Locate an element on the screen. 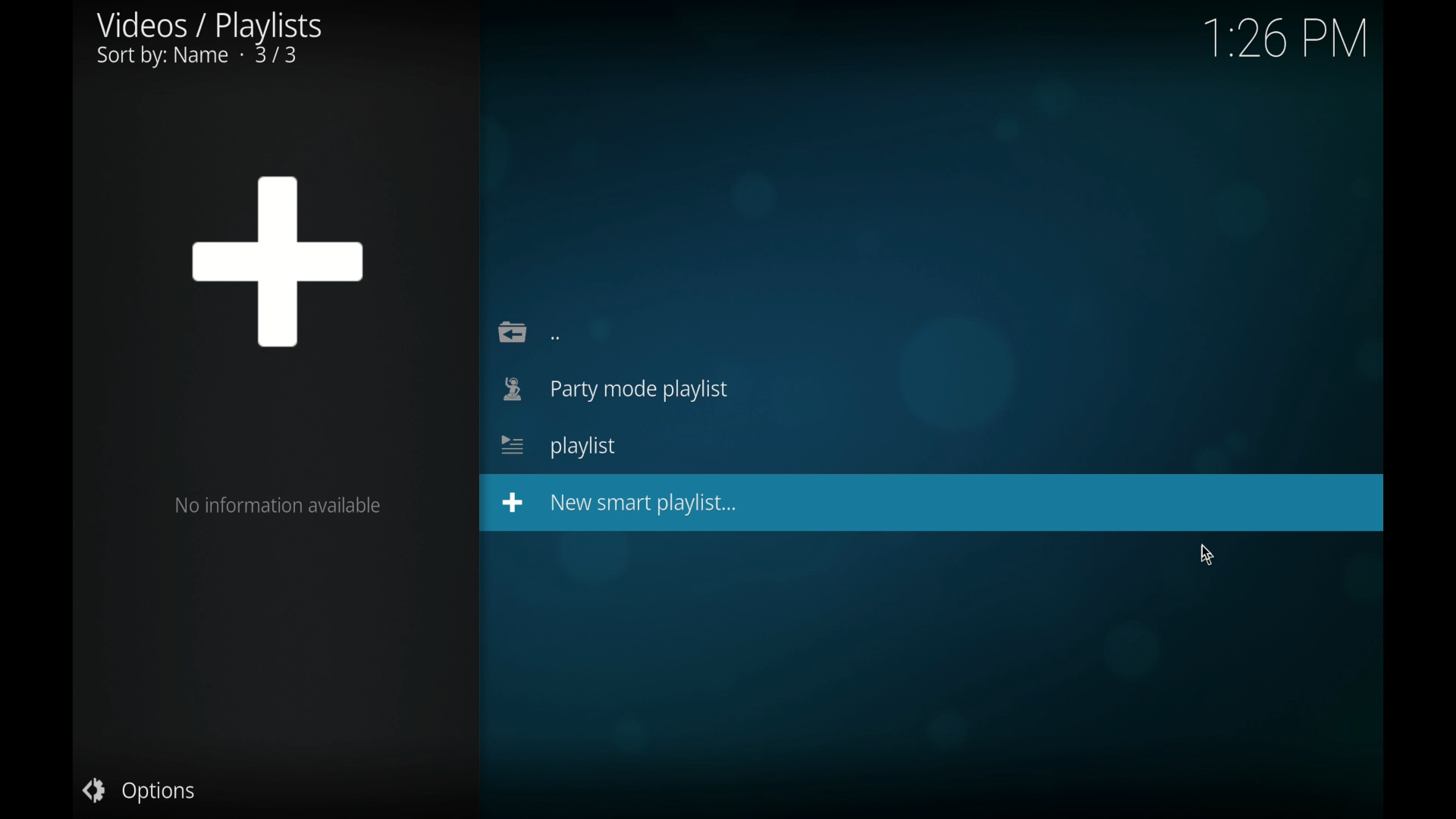 Image resolution: width=1456 pixels, height=819 pixels. options is located at coordinates (138, 790).